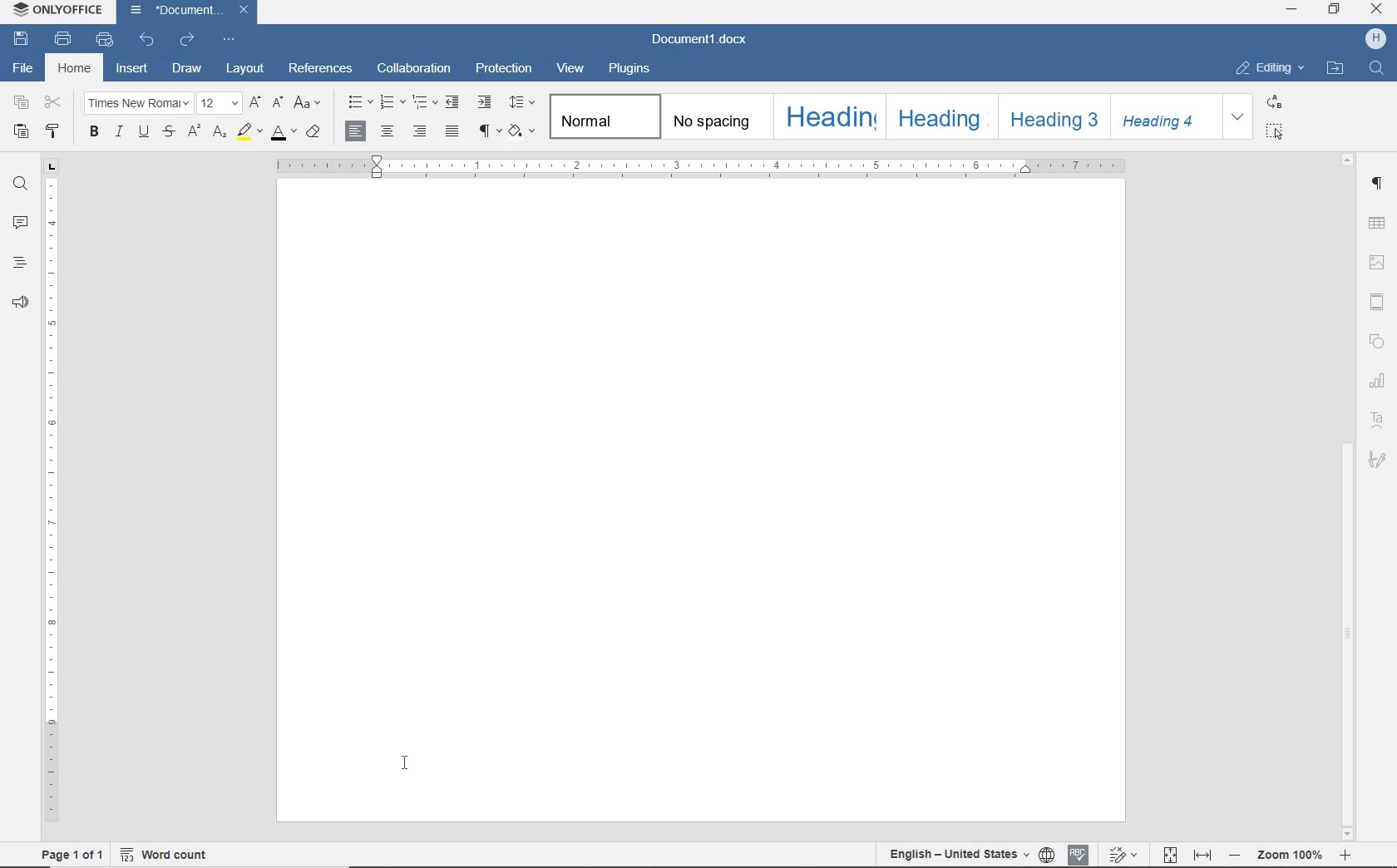  Describe the element at coordinates (1376, 67) in the screenshot. I see `find` at that location.